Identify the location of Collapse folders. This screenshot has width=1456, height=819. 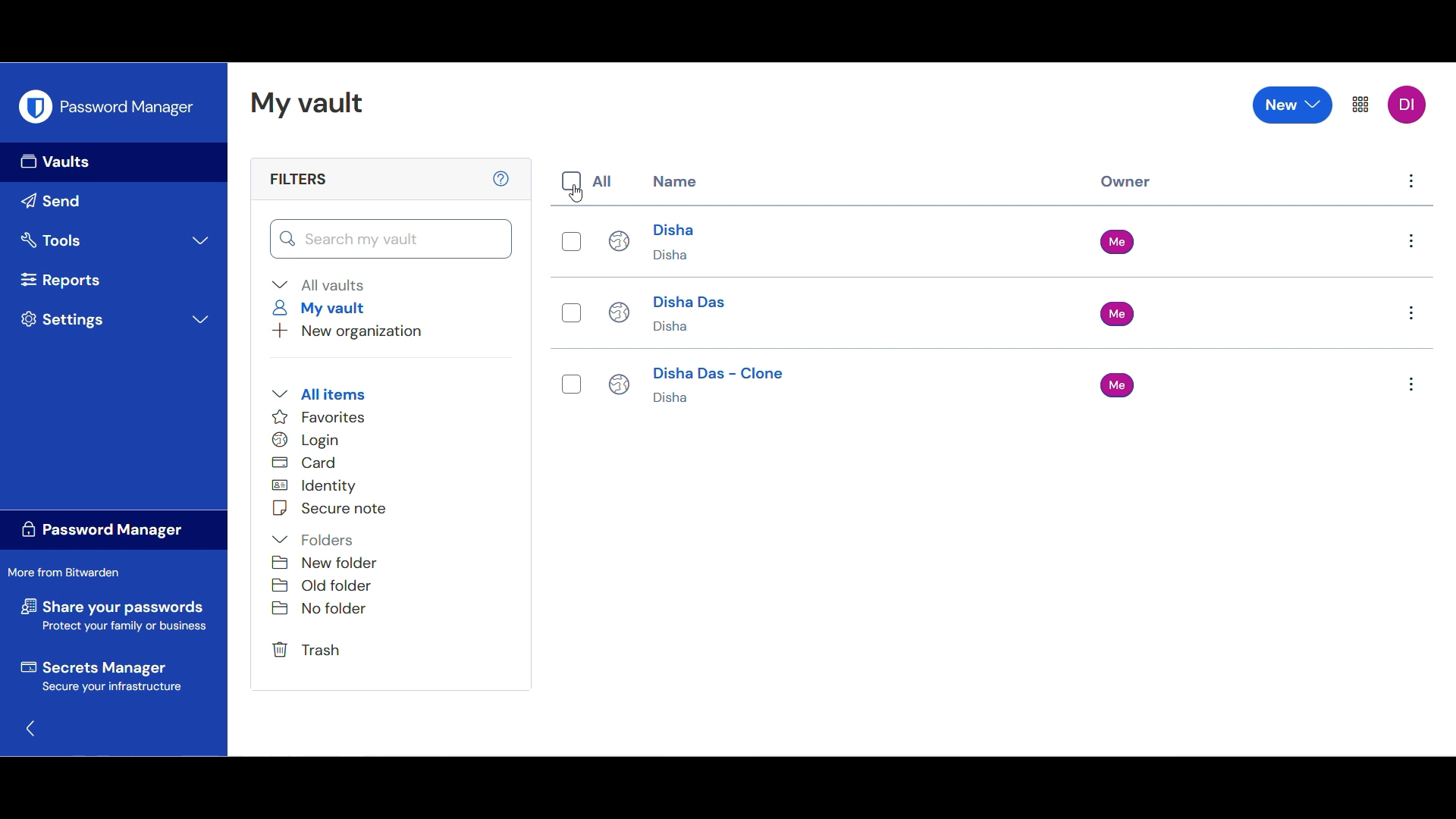
(315, 540).